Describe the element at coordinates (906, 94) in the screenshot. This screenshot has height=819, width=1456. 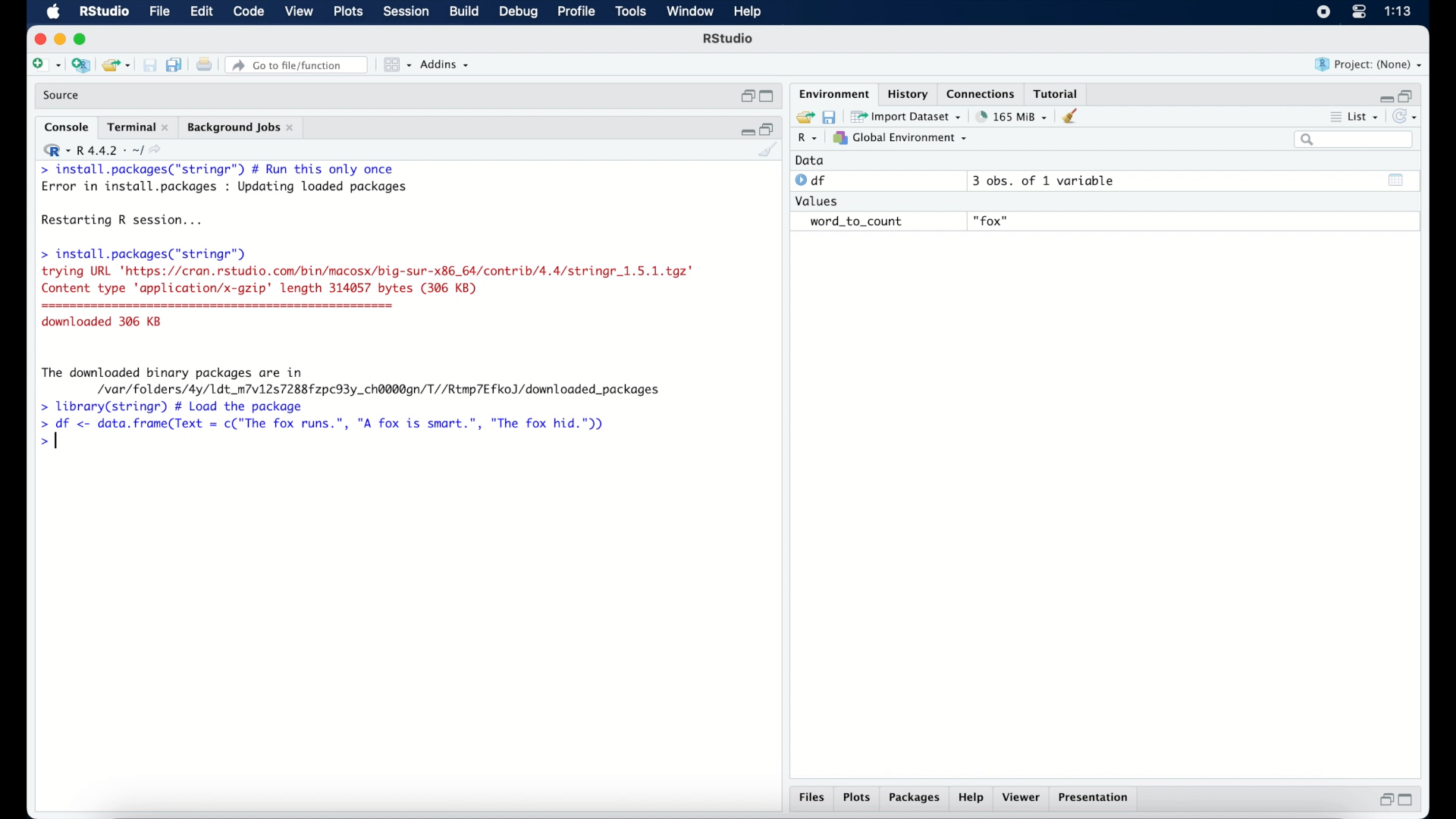
I see `history` at that location.